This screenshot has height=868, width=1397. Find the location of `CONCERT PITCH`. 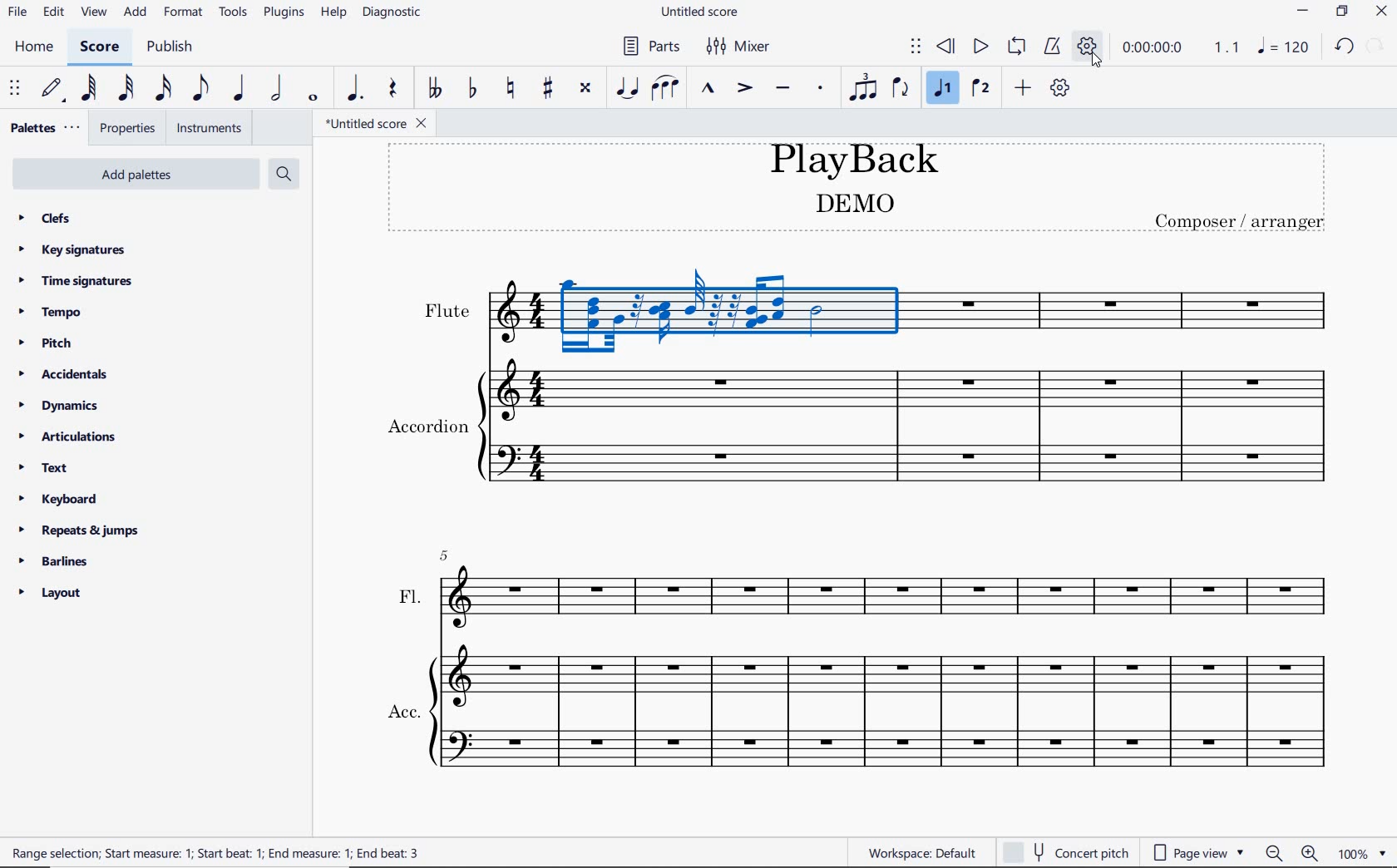

CONCERT PITCH is located at coordinates (1068, 852).